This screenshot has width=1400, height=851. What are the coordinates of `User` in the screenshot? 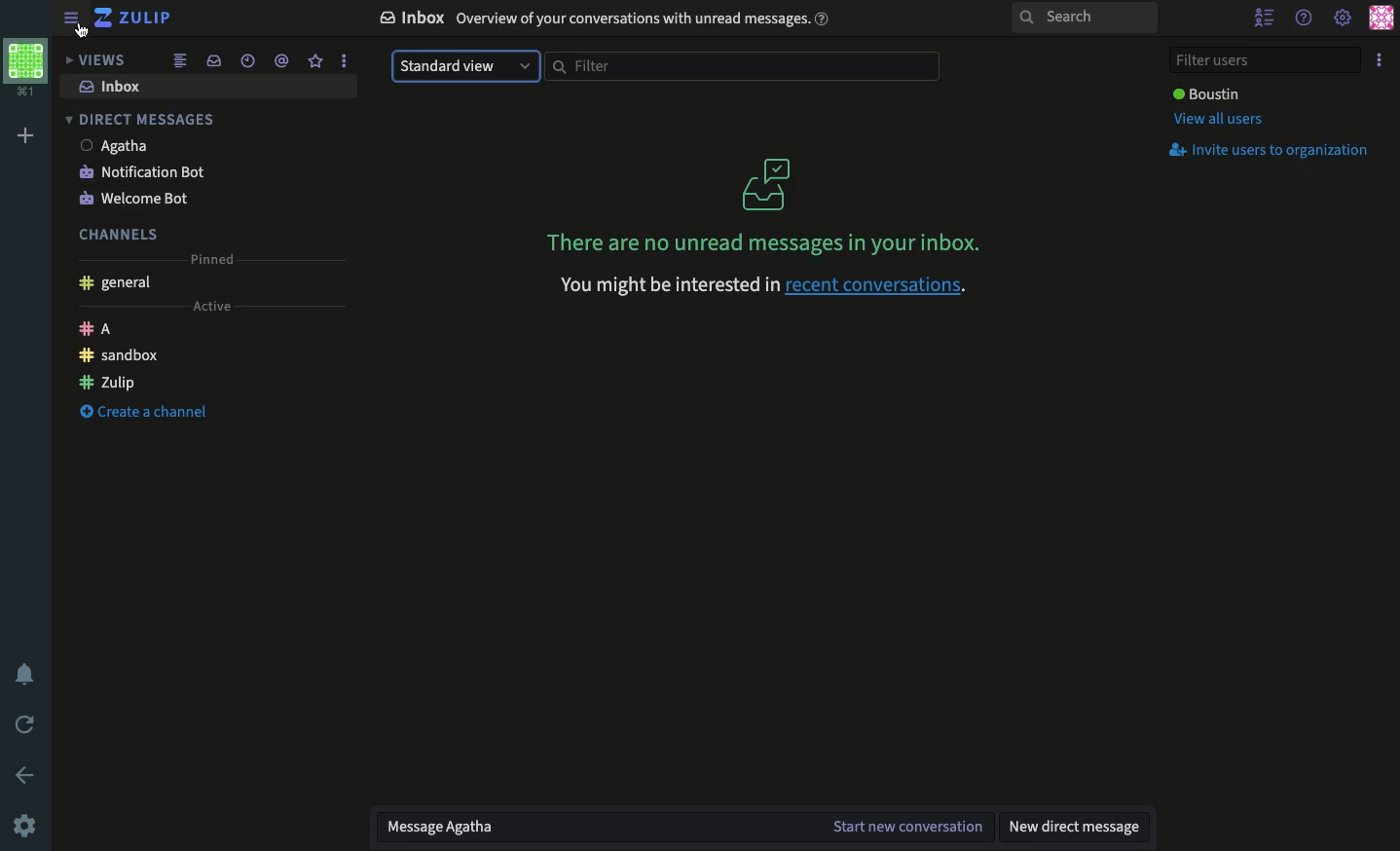 It's located at (114, 147).